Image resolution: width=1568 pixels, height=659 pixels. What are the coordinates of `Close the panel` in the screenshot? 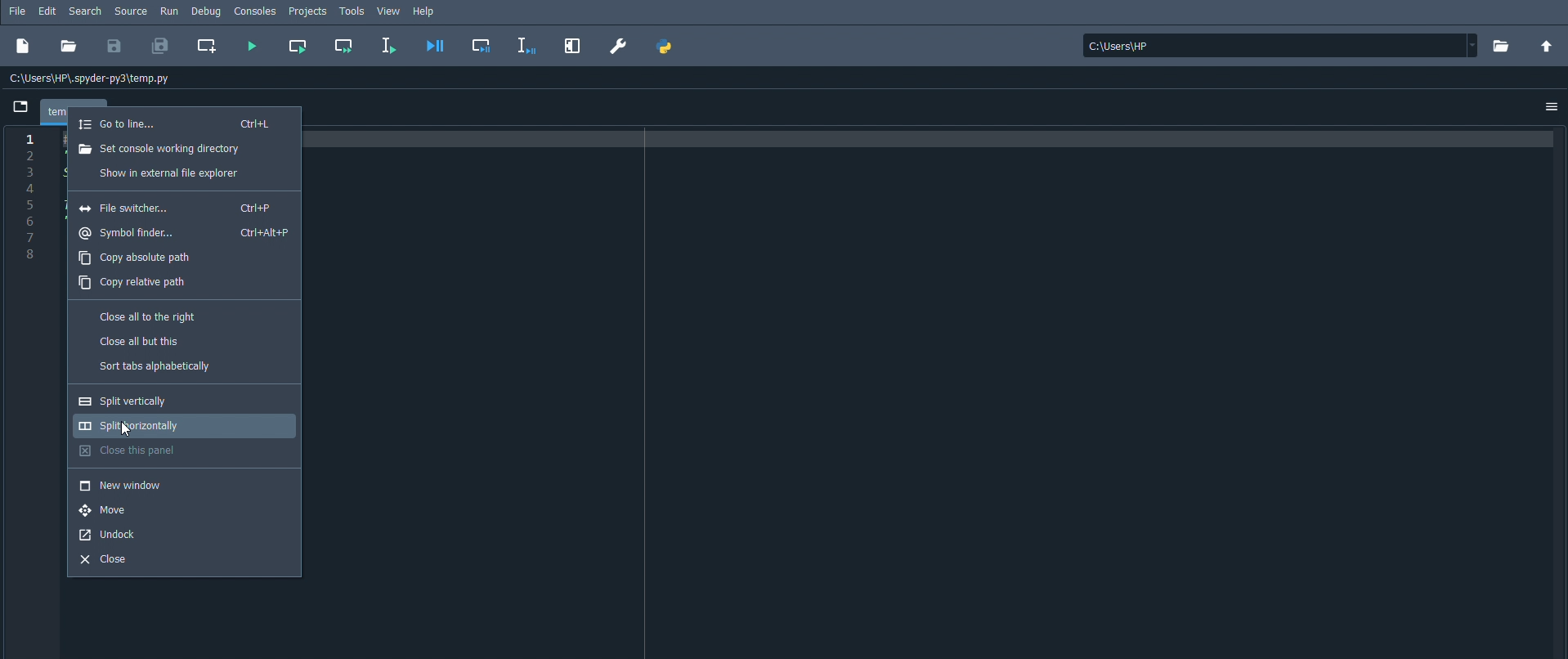 It's located at (137, 451).